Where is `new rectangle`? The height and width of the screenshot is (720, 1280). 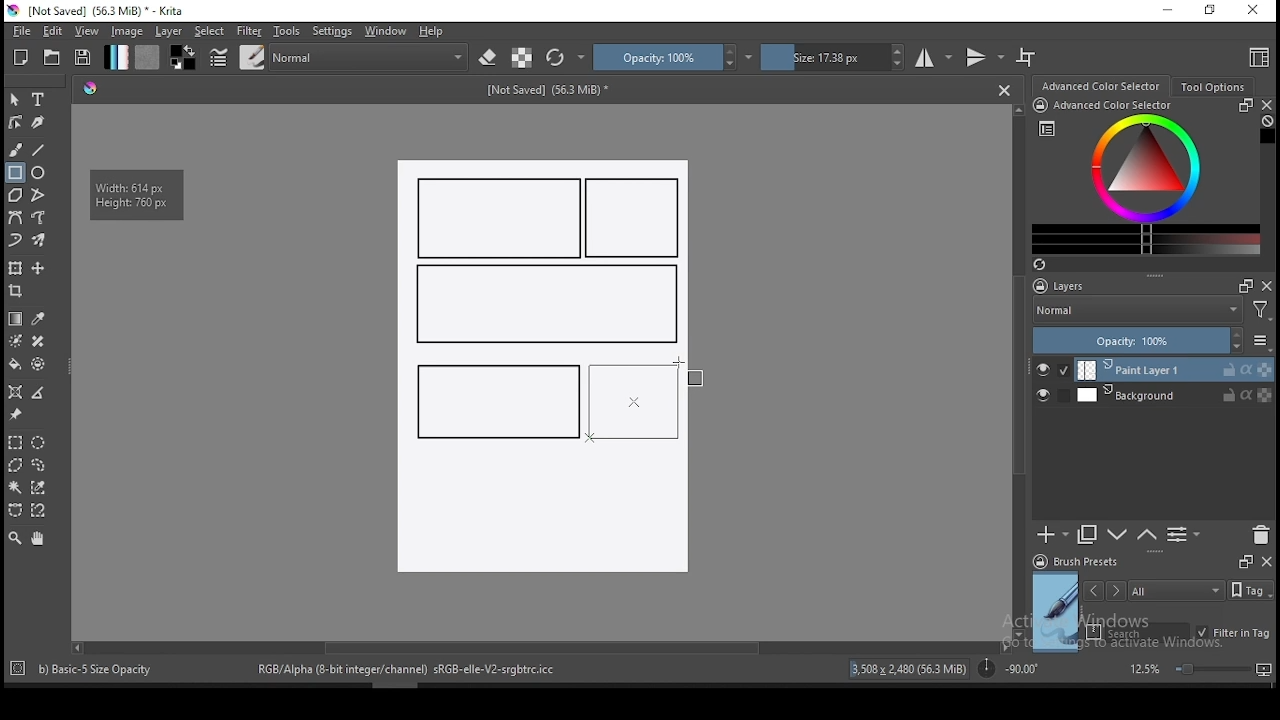 new rectangle is located at coordinates (544, 305).